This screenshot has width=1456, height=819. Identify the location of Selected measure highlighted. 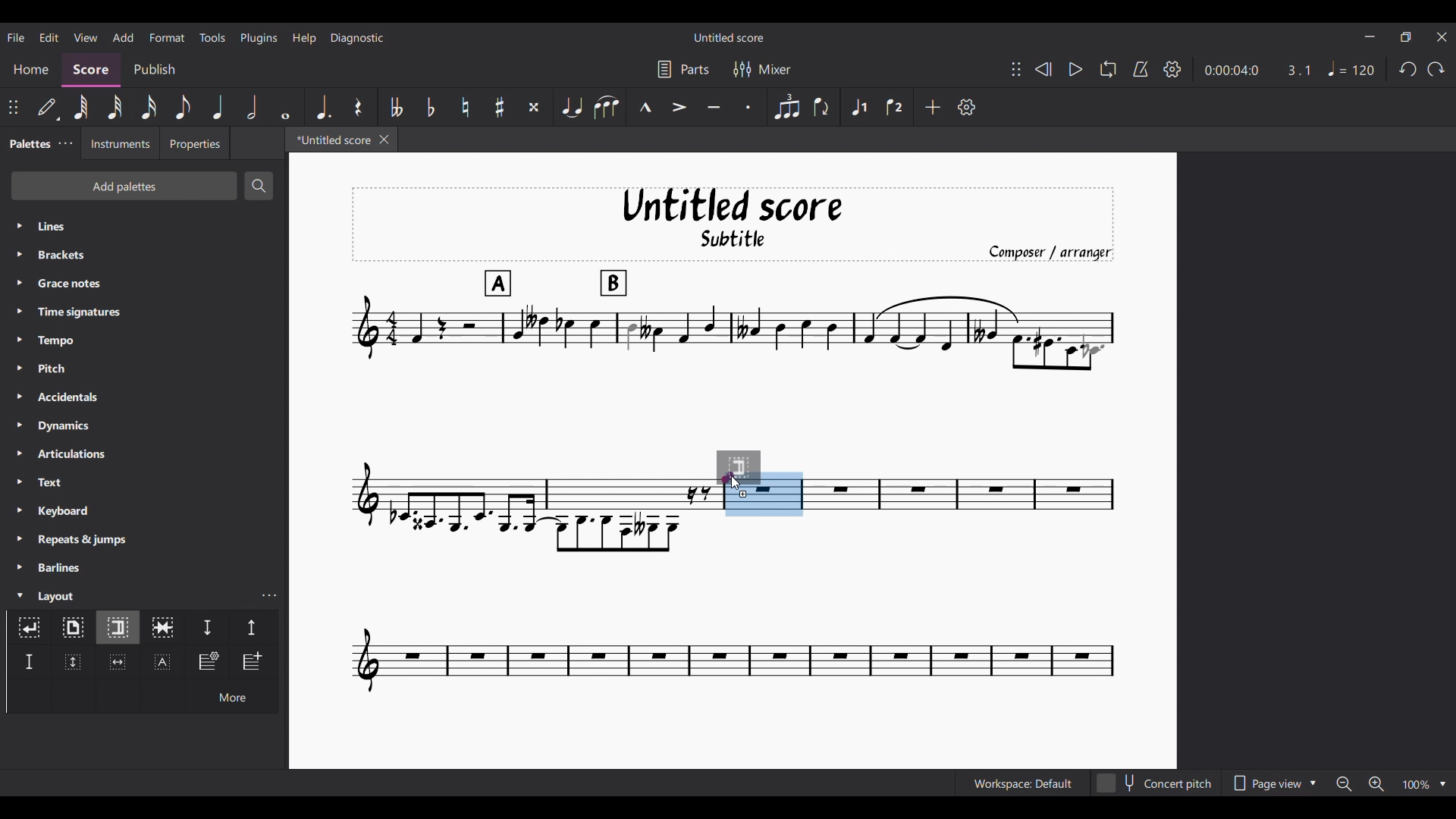
(783, 494).